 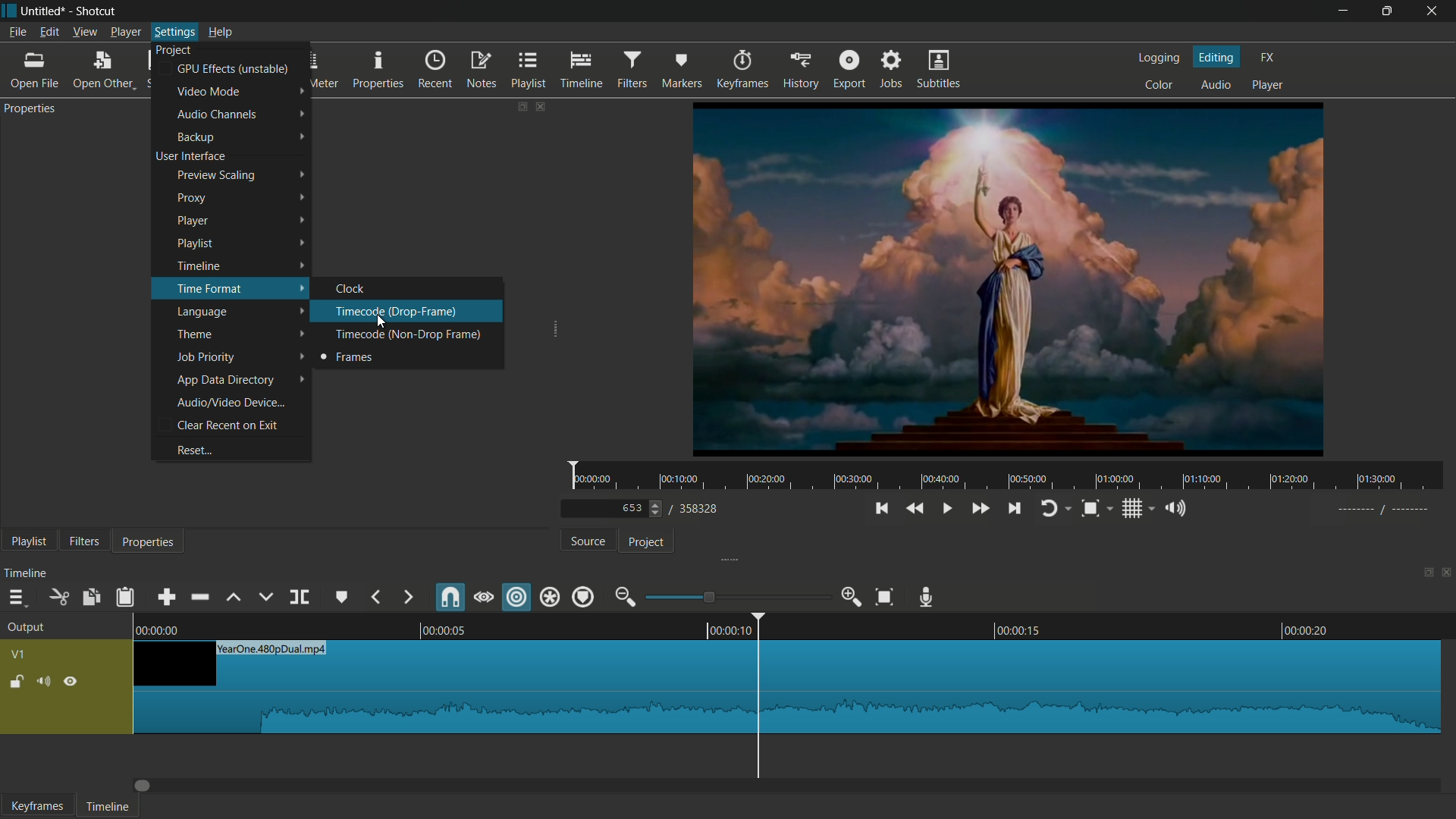 I want to click on cut, so click(x=60, y=598).